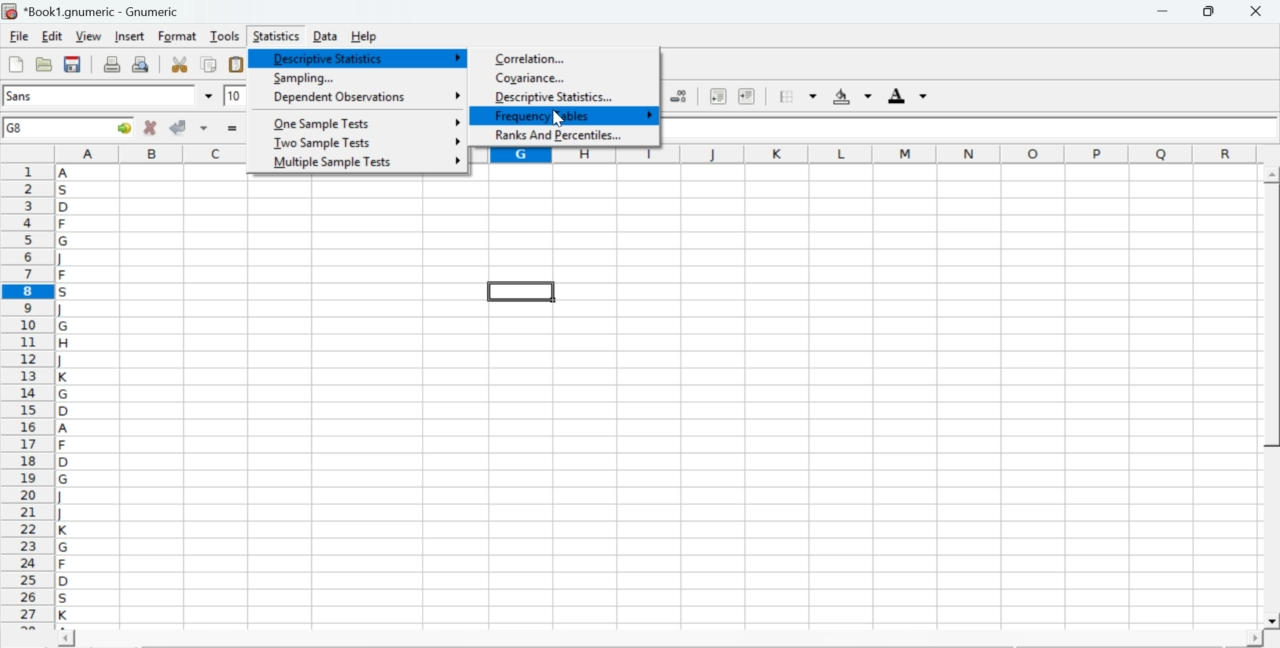 The image size is (1280, 648). What do you see at coordinates (178, 36) in the screenshot?
I see `format` at bounding box center [178, 36].